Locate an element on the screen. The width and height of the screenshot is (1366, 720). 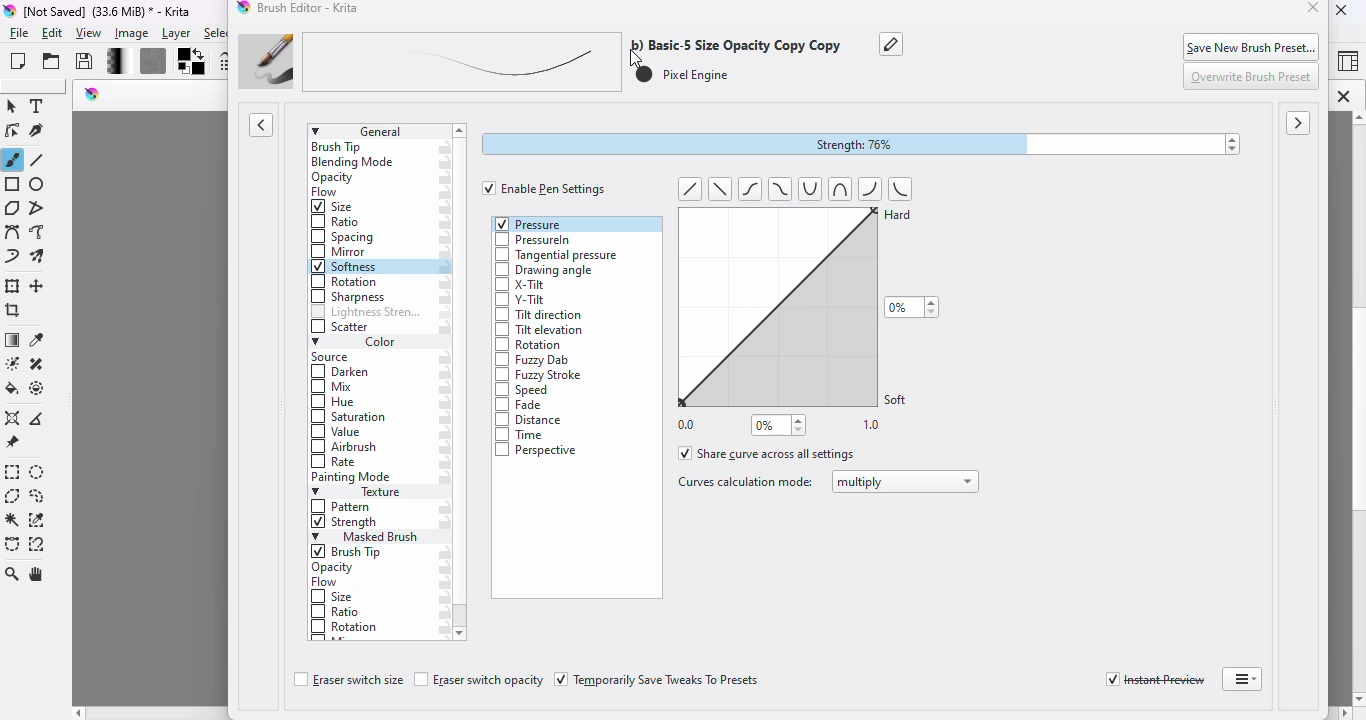
rename the brush preset is located at coordinates (892, 45).